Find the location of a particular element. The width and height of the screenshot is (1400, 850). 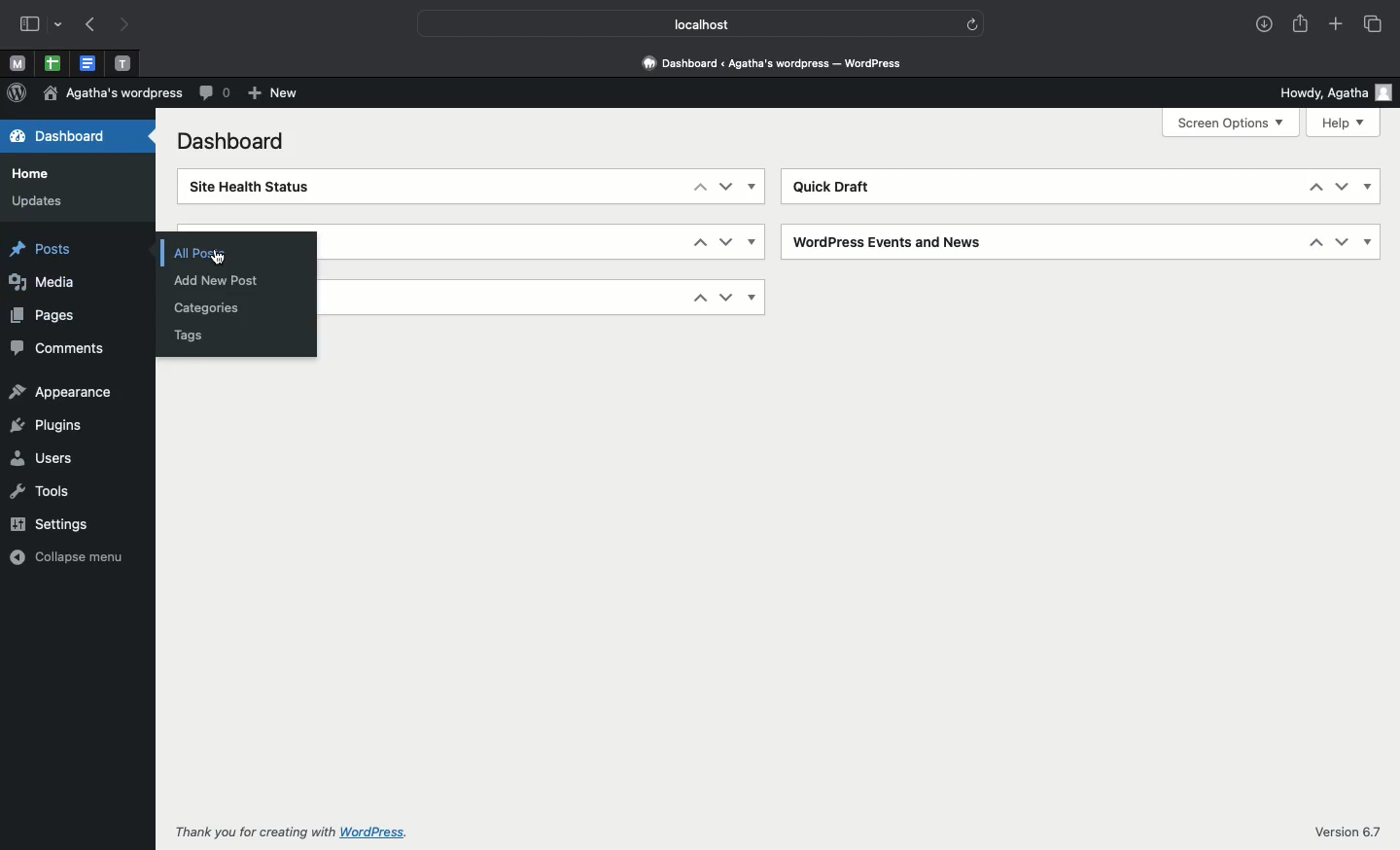

Comments is located at coordinates (66, 349).